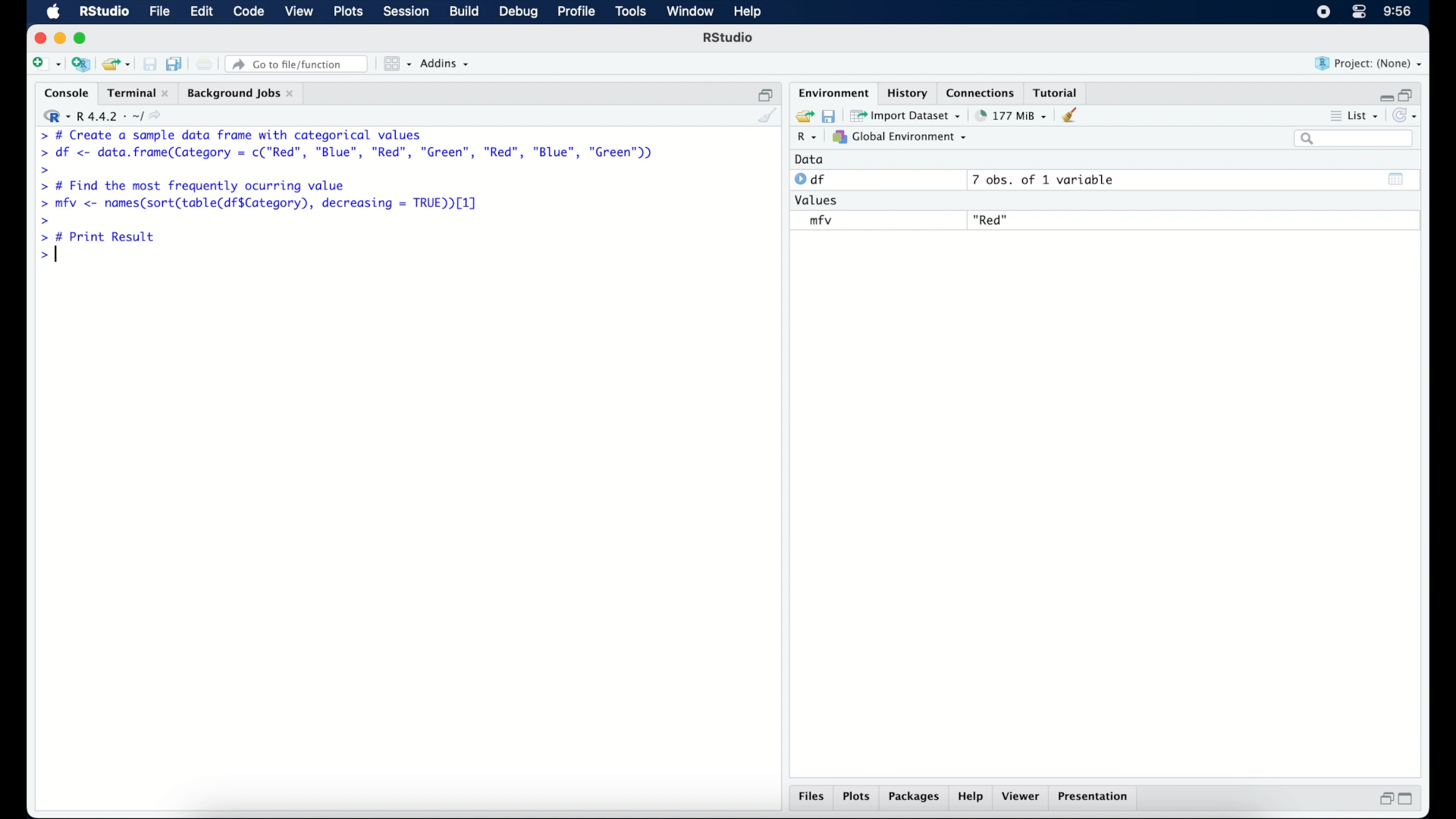 The height and width of the screenshot is (819, 1456). Describe the element at coordinates (205, 64) in the screenshot. I see `print` at that location.